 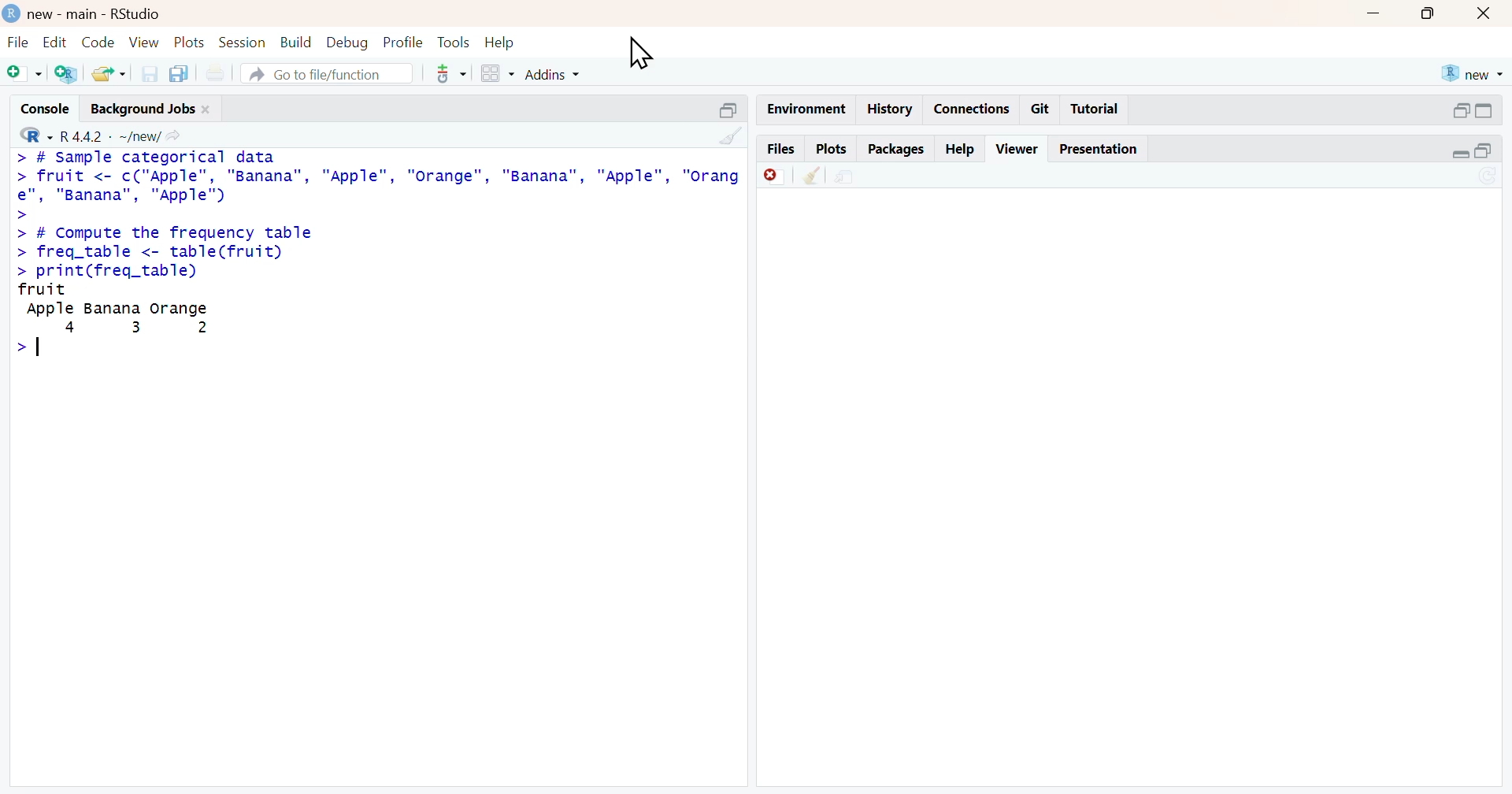 What do you see at coordinates (771, 177) in the screenshot?
I see `remove current viewer` at bounding box center [771, 177].